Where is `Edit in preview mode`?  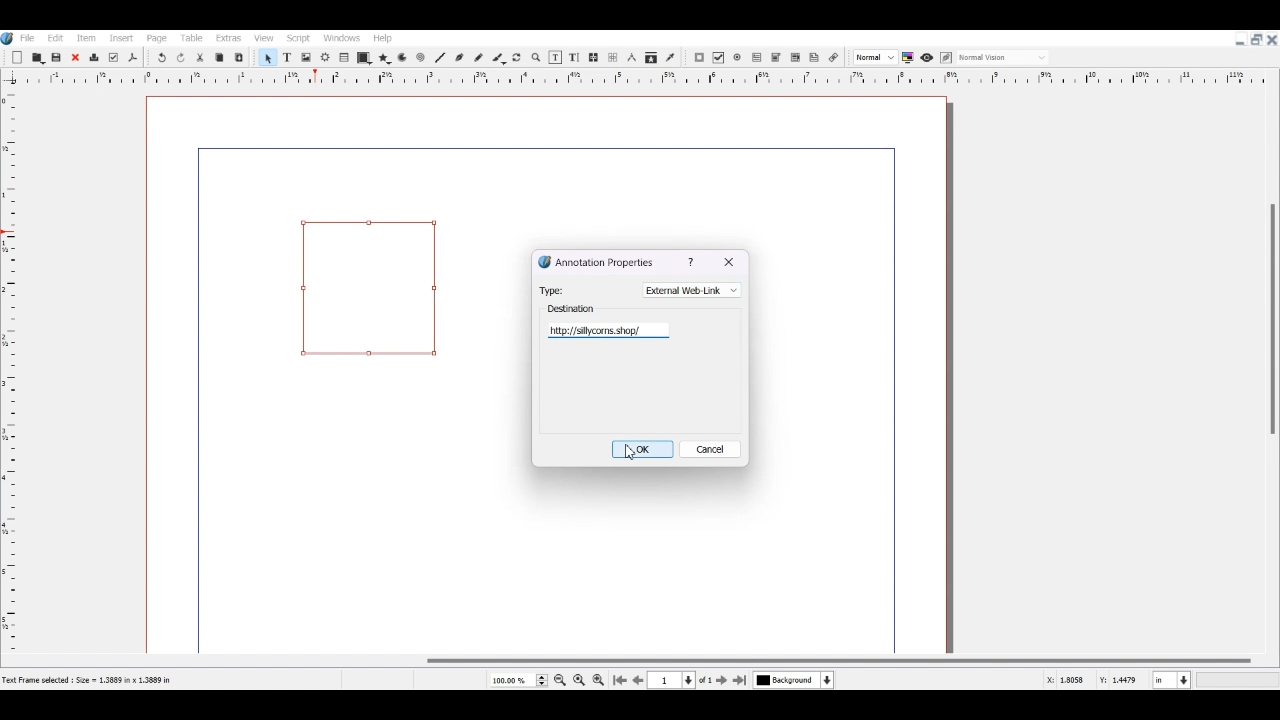 Edit in preview mode is located at coordinates (946, 58).